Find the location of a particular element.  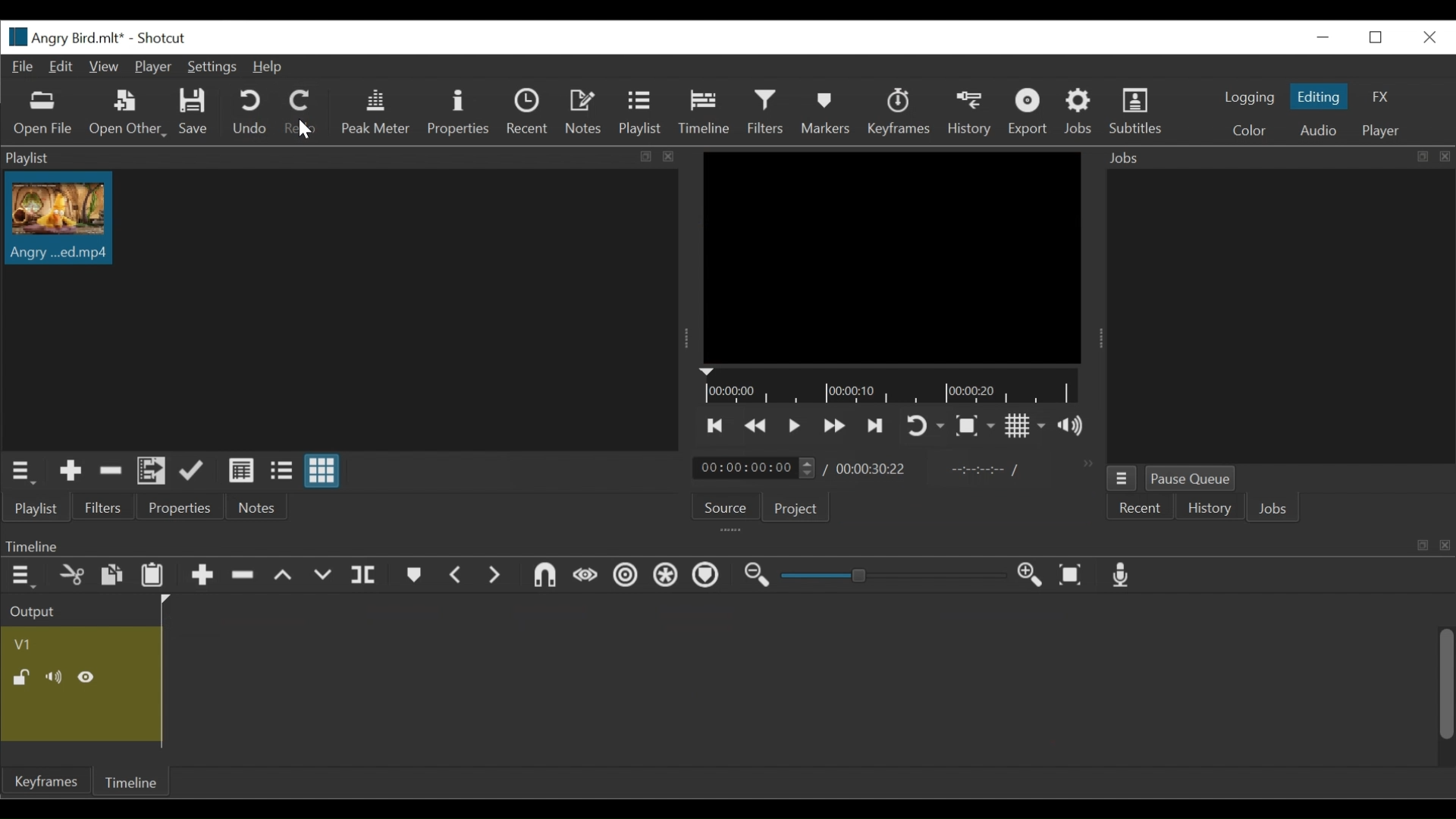

Playlist is located at coordinates (36, 509).